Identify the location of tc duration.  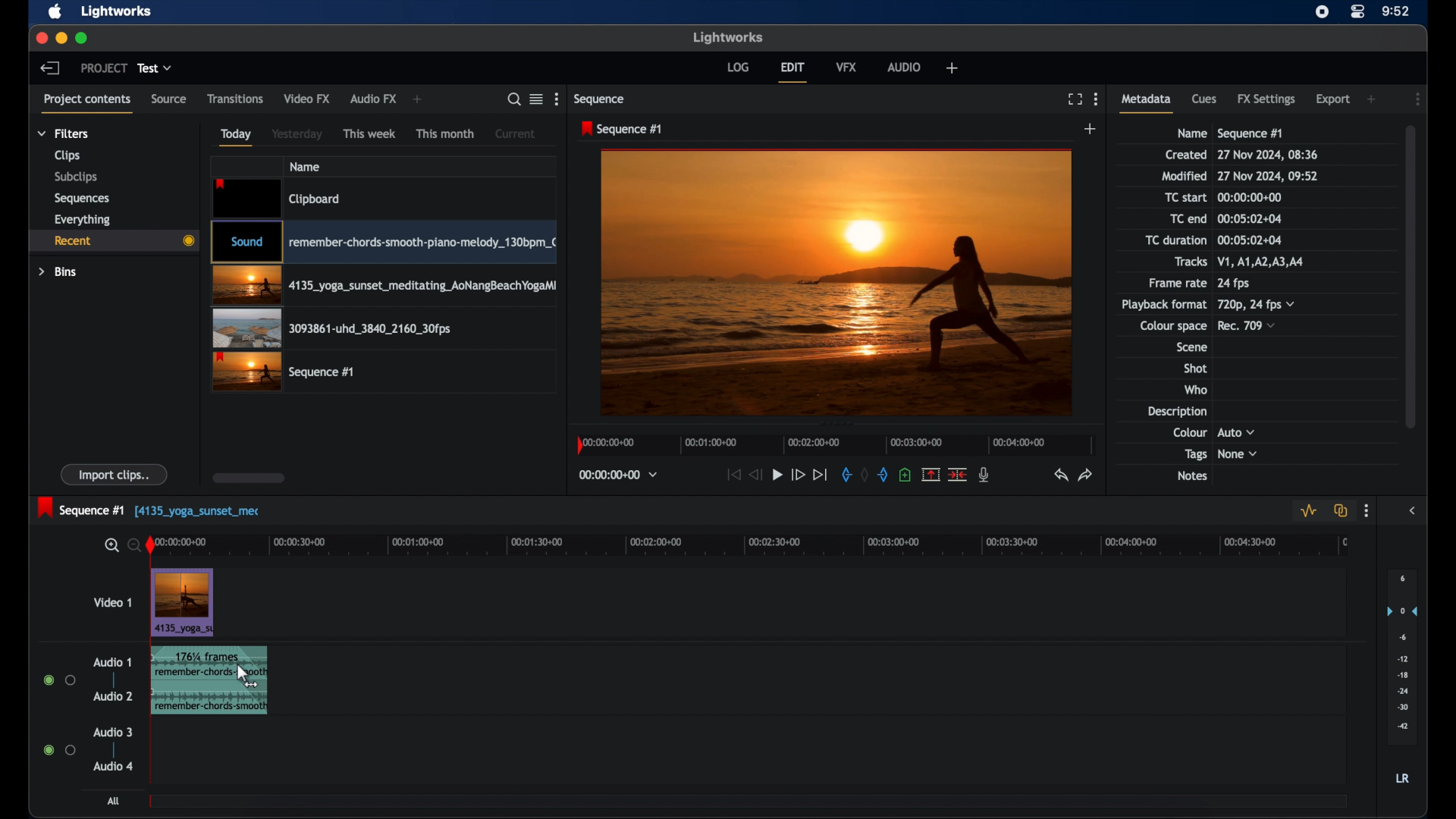
(1175, 240).